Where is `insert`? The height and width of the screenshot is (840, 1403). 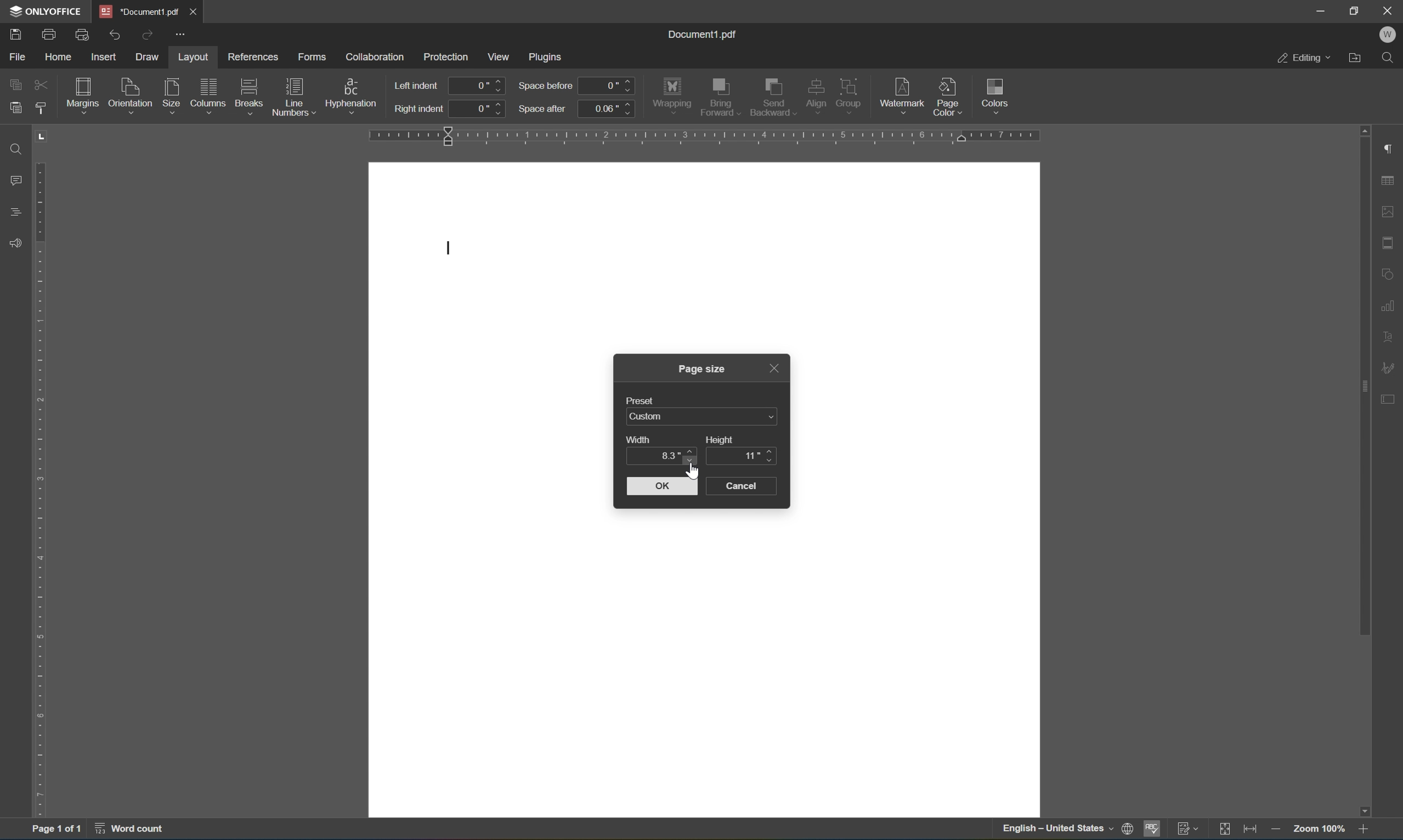 insert is located at coordinates (108, 58).